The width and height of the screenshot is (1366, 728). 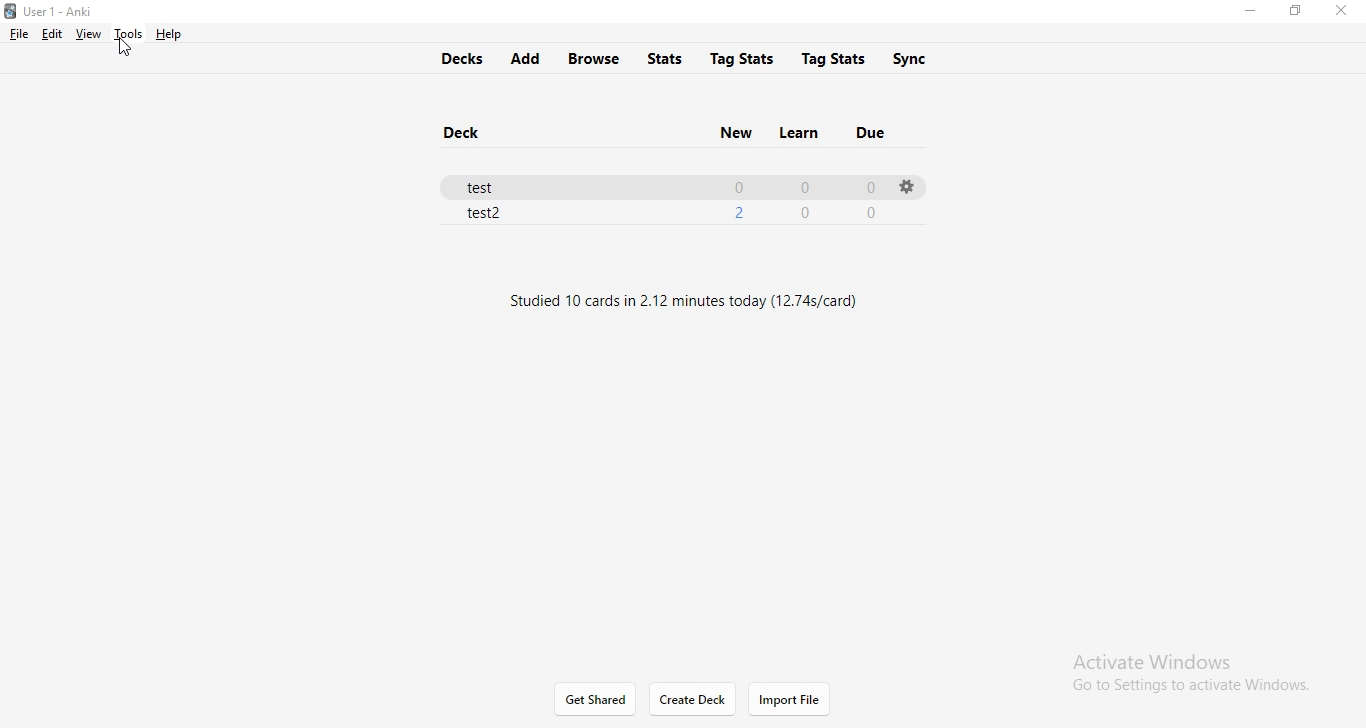 I want to click on learn, so click(x=800, y=135).